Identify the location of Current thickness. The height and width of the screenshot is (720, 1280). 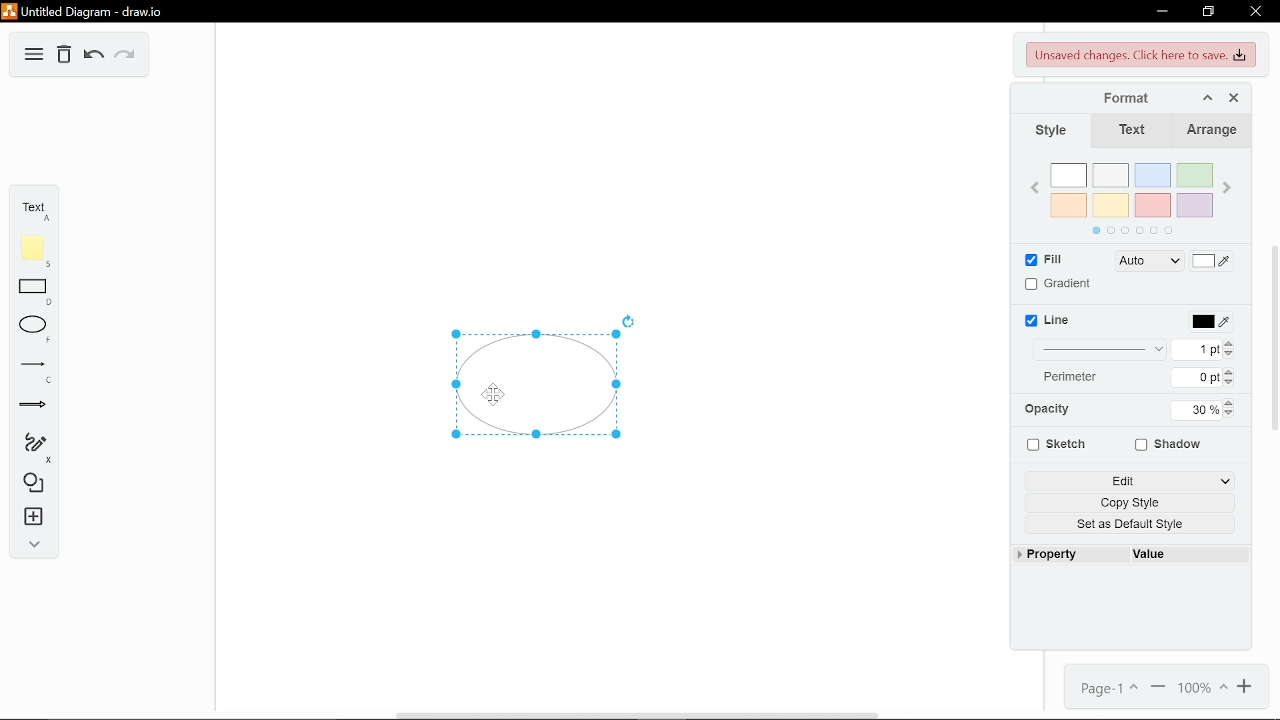
(1204, 350).